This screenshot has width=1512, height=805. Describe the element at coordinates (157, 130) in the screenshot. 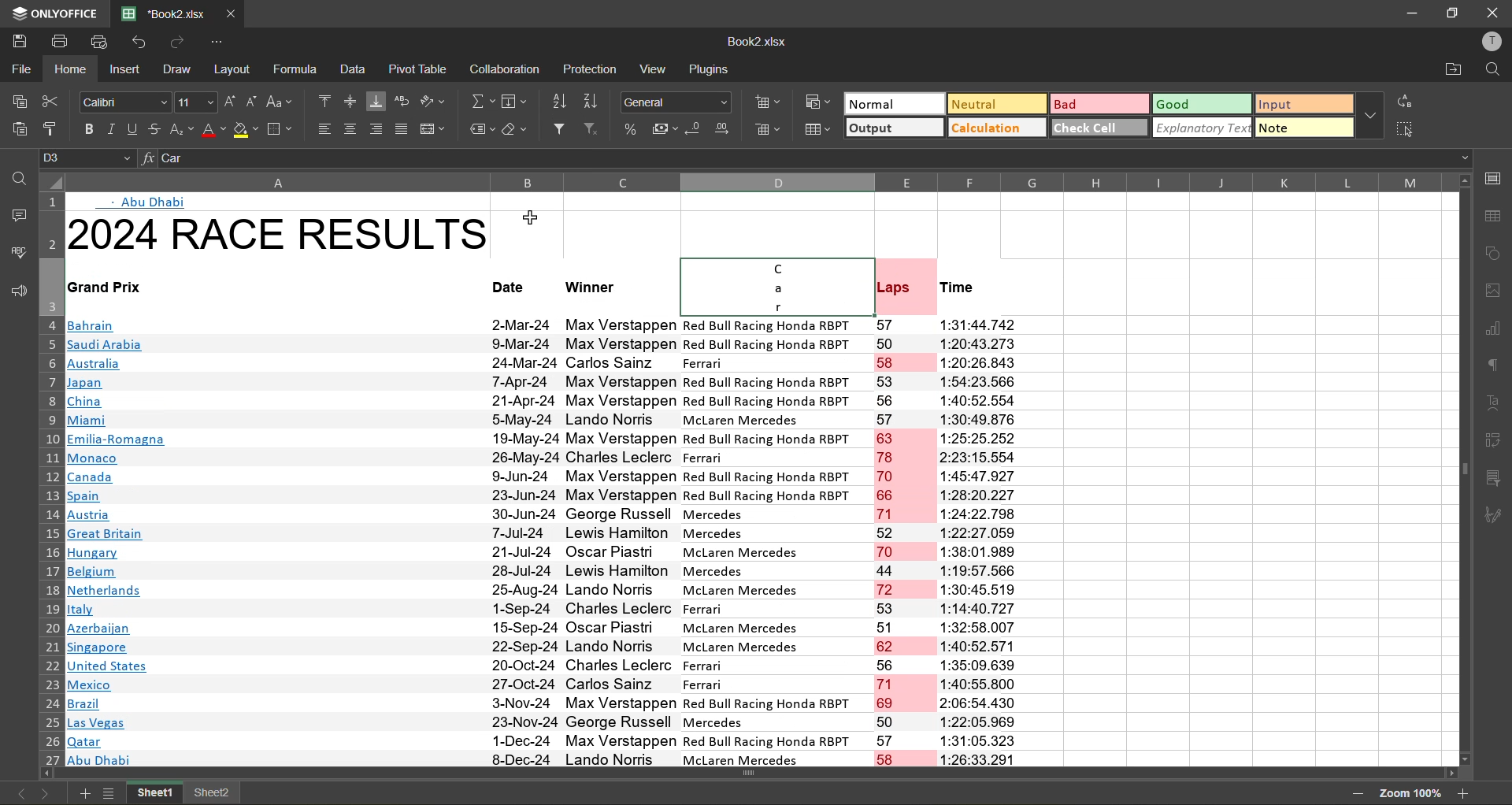

I see `strikethrough` at that location.